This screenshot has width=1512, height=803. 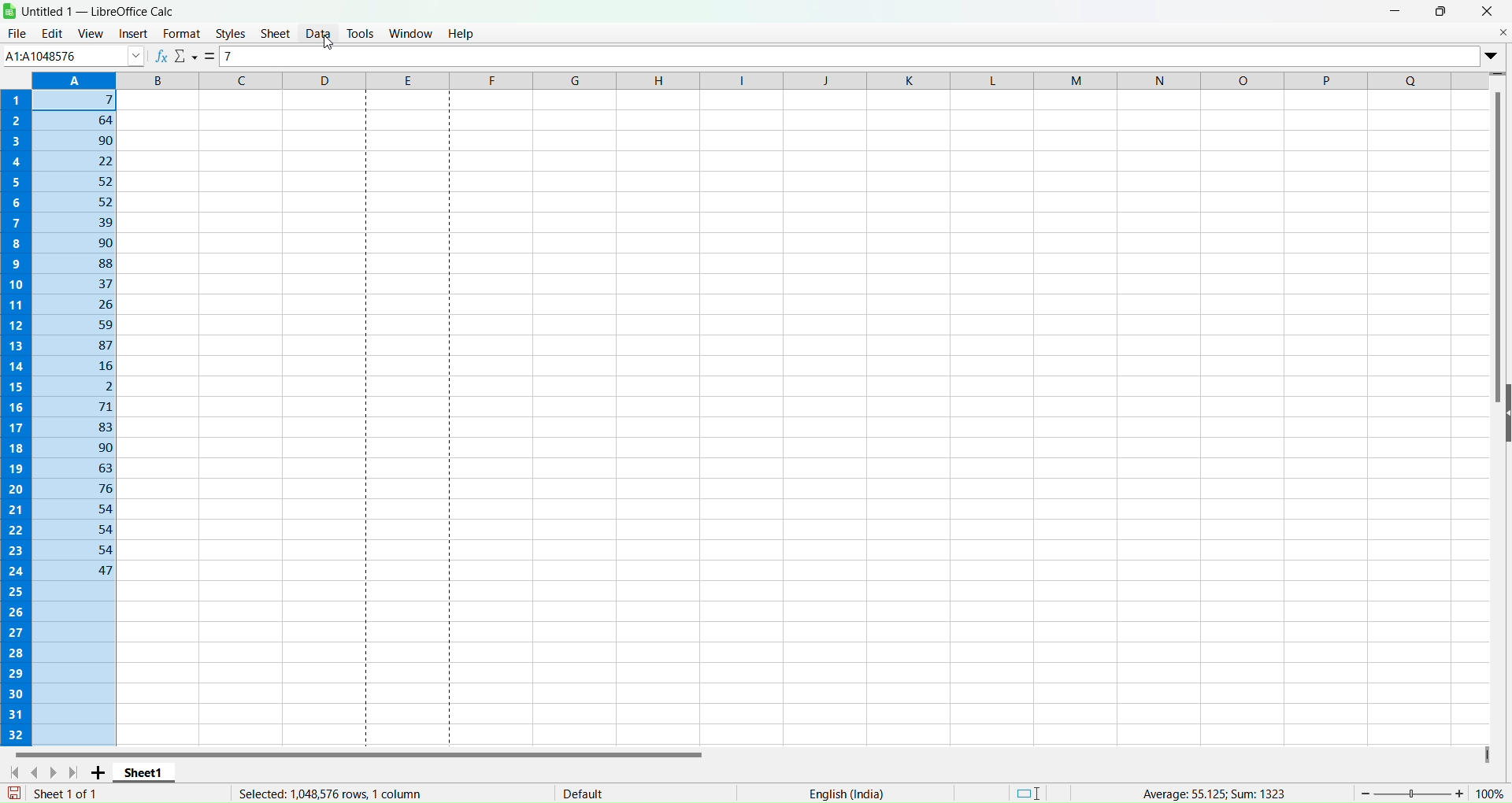 I want to click on Formula Bar, so click(x=852, y=56).